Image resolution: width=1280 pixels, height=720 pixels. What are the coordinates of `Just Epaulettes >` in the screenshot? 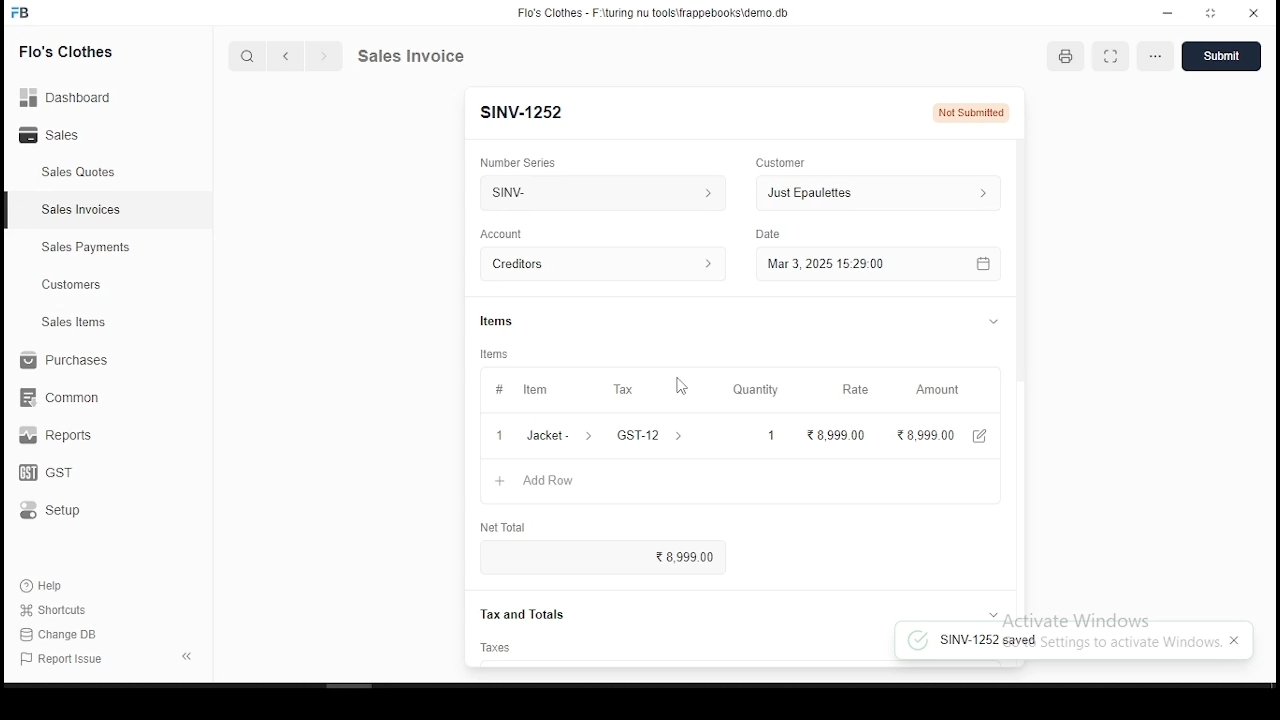 It's located at (883, 195).